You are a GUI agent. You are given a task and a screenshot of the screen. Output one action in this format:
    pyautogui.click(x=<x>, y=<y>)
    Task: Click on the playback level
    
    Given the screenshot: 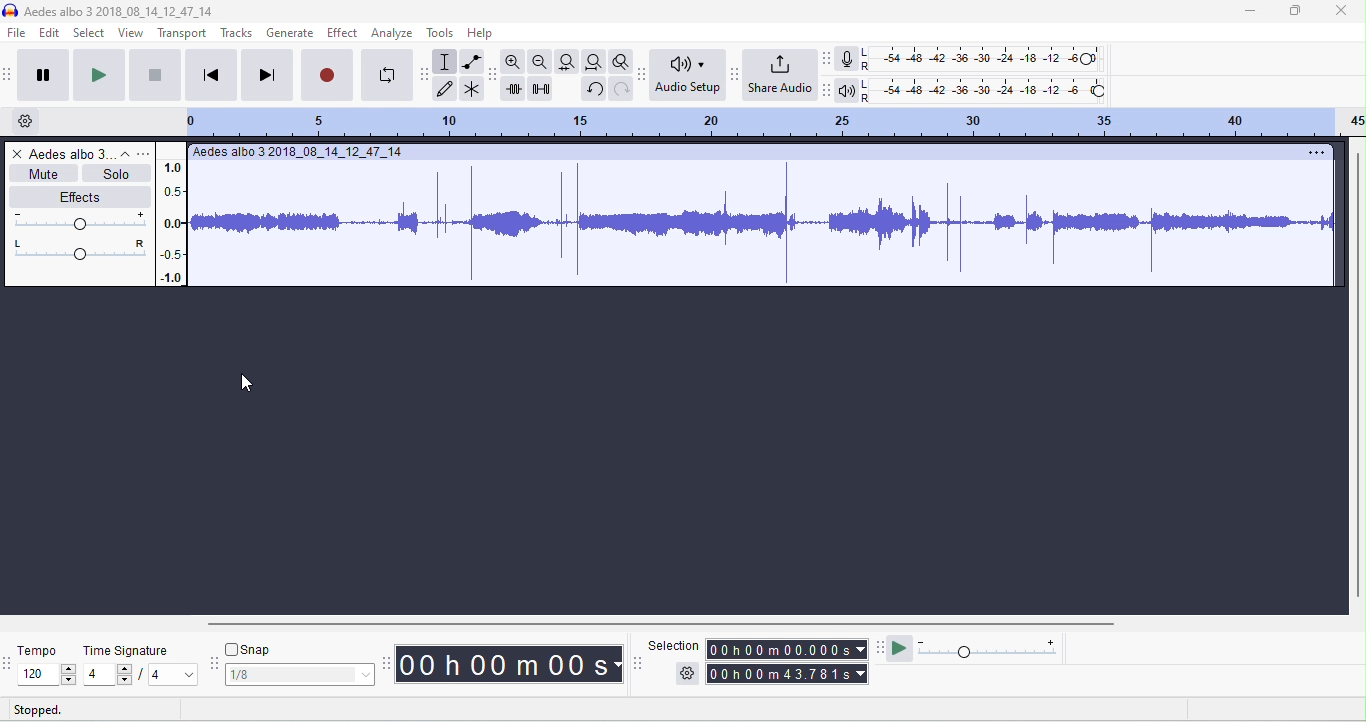 What is the action you would take?
    pyautogui.click(x=994, y=89)
    